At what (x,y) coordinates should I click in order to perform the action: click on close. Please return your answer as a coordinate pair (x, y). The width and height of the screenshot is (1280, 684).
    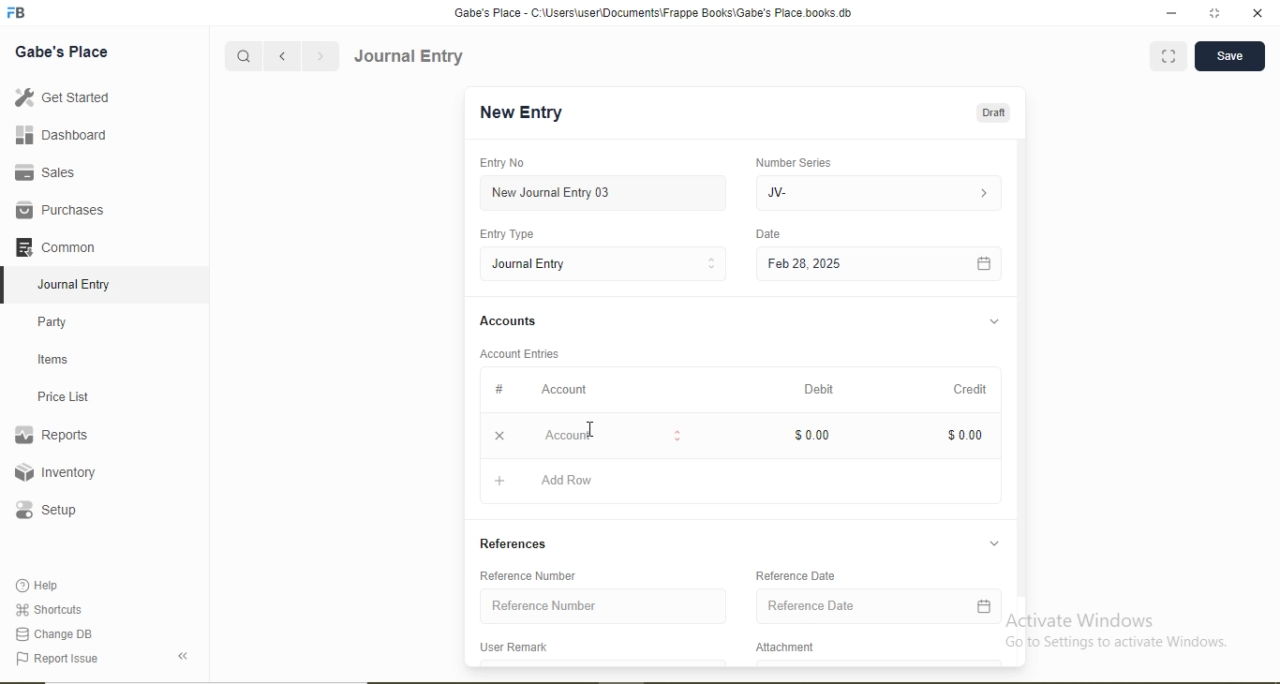
    Looking at the image, I should click on (1259, 13).